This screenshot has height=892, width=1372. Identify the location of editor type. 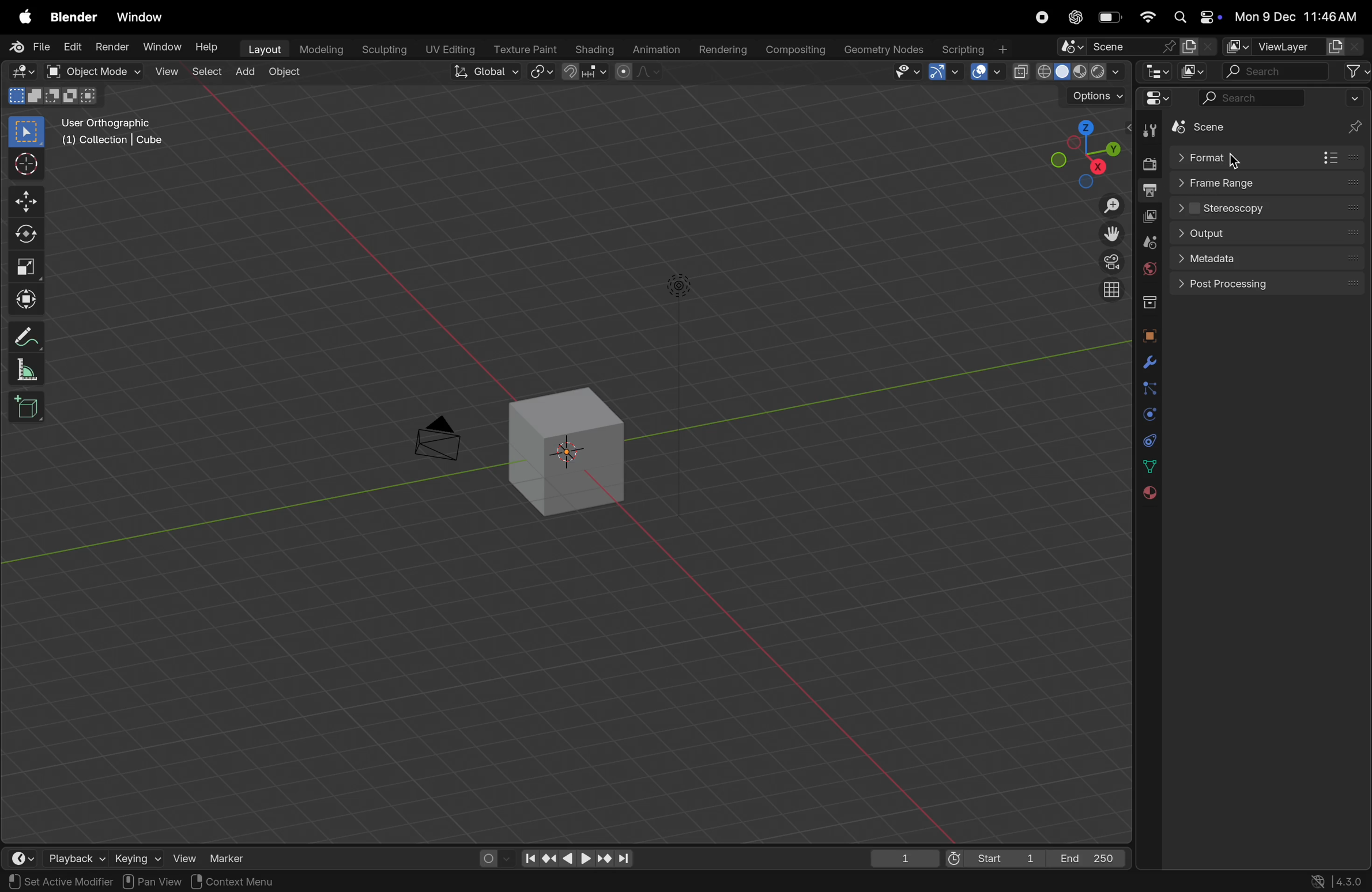
(21, 72).